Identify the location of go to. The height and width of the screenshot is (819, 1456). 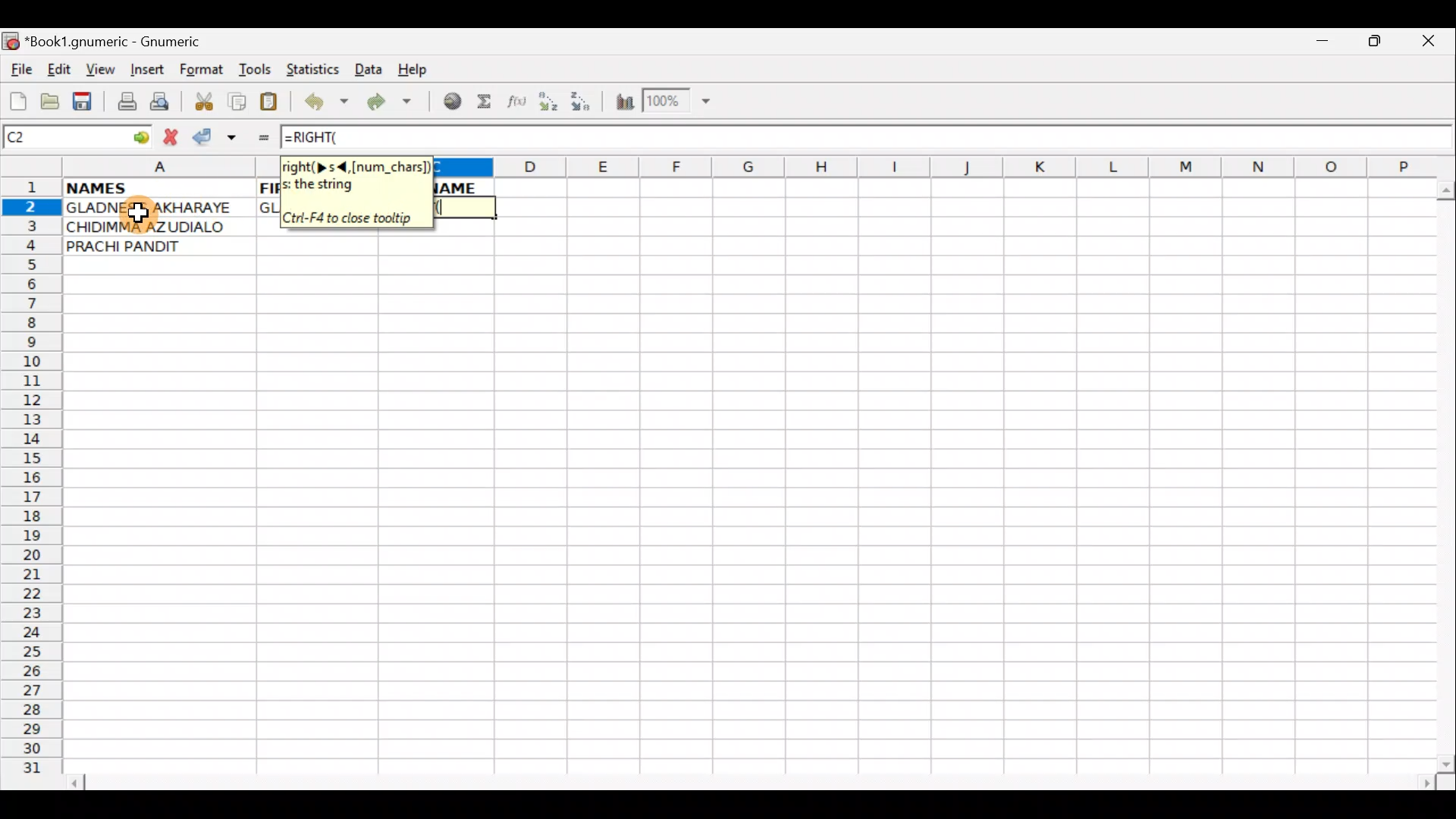
(140, 135).